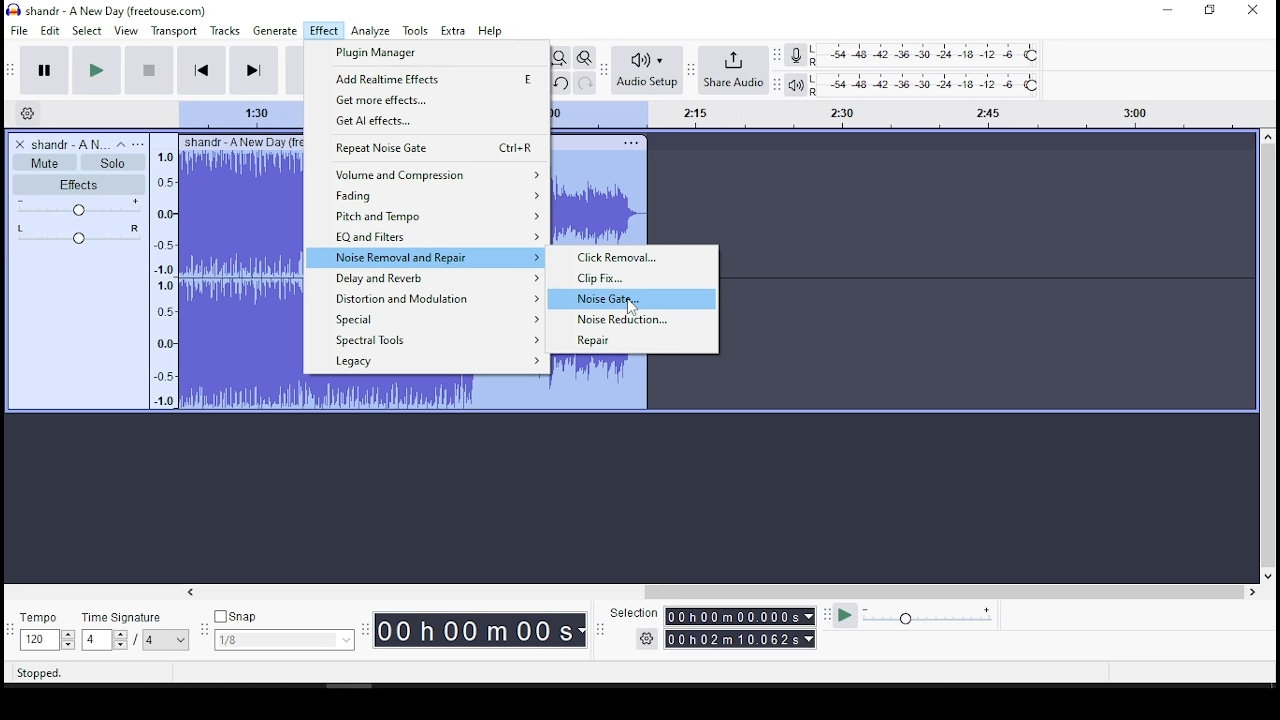 Image resolution: width=1280 pixels, height=720 pixels. What do you see at coordinates (585, 82) in the screenshot?
I see `redo` at bounding box center [585, 82].